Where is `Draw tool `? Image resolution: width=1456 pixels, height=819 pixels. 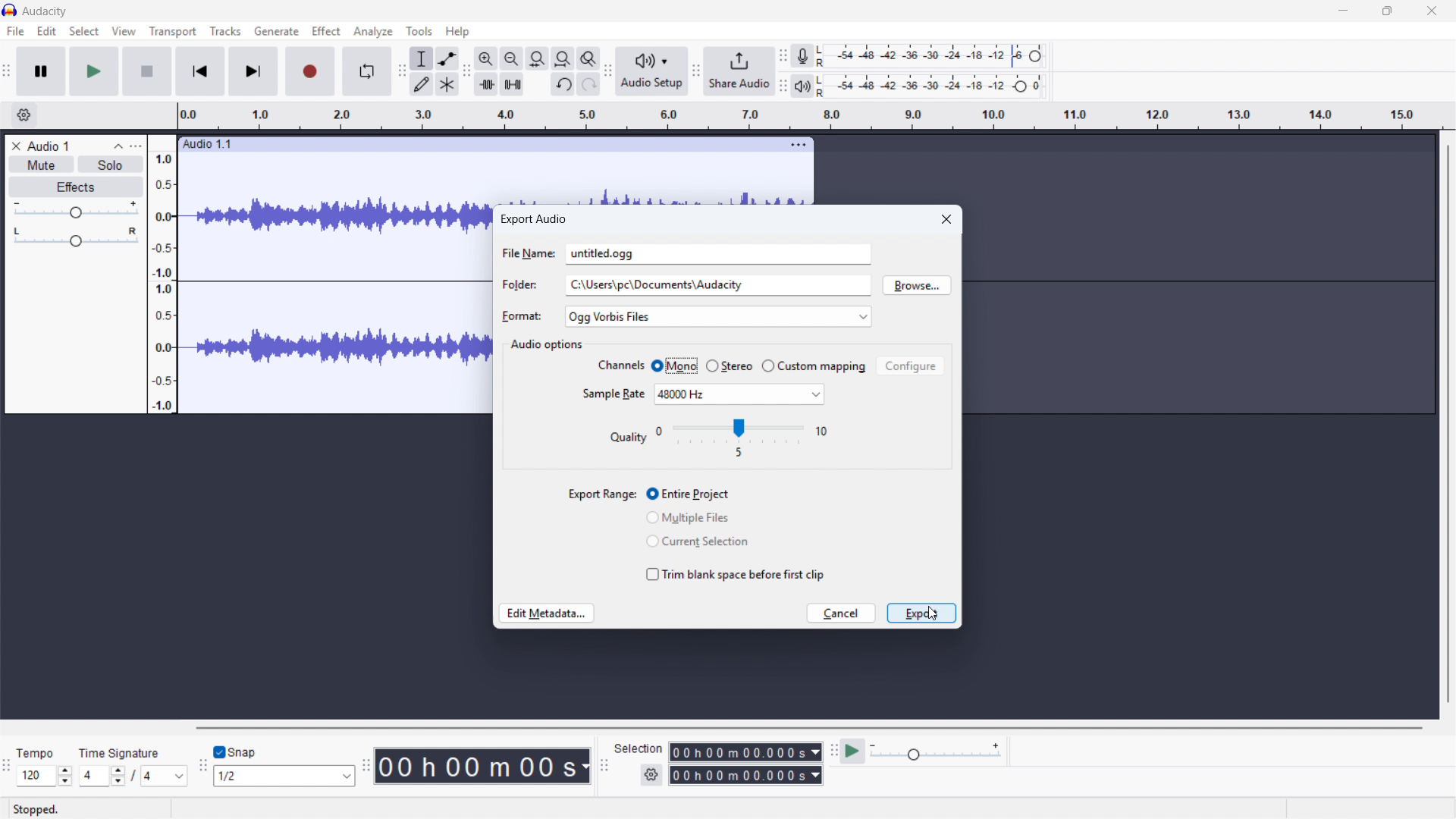 Draw tool  is located at coordinates (420, 84).